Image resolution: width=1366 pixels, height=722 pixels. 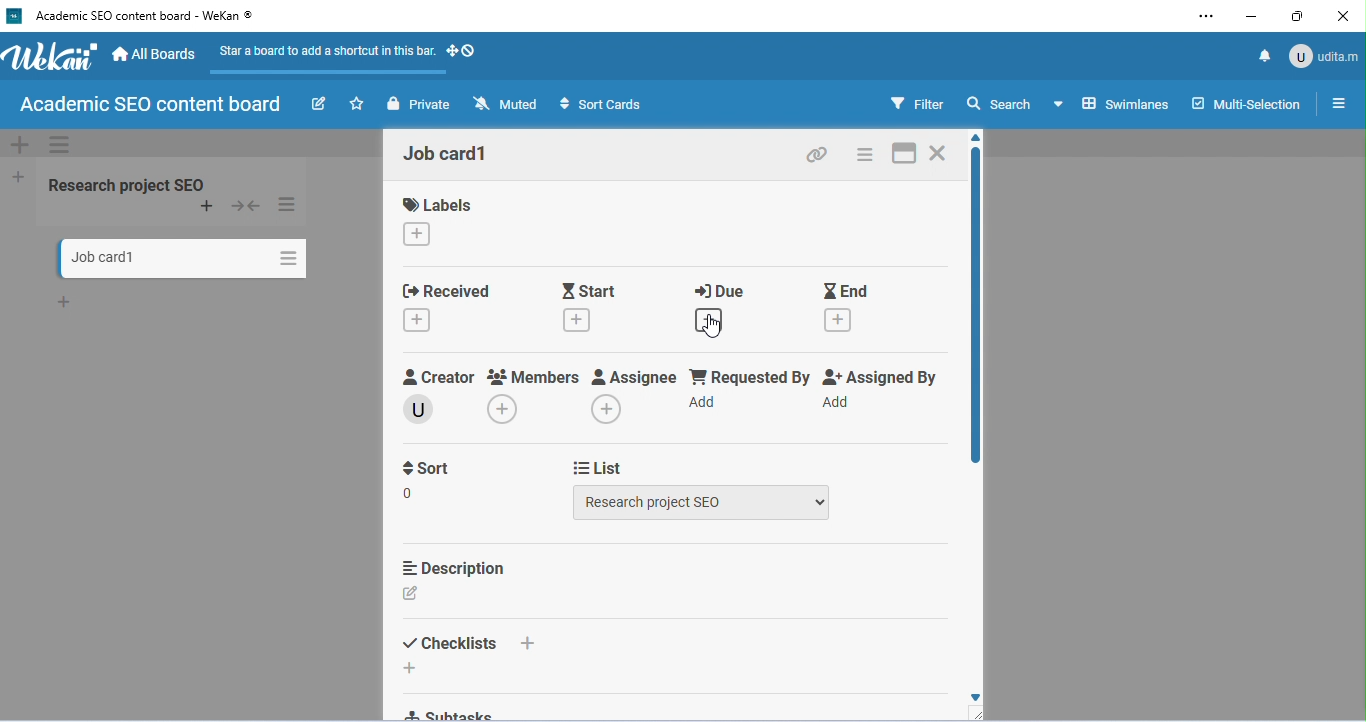 I want to click on show-desktop-drag-handles, so click(x=462, y=50).